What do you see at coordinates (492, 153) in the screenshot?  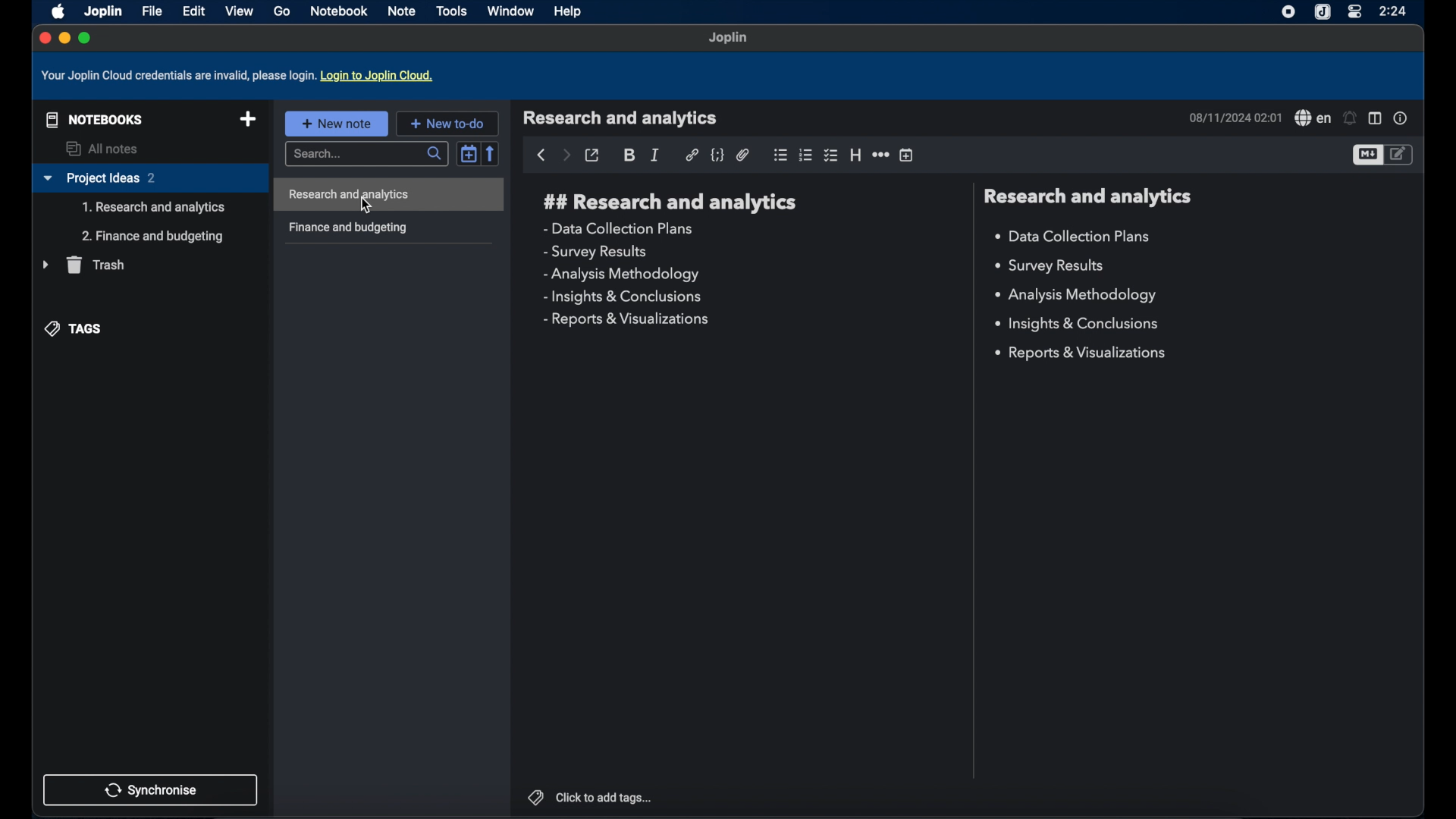 I see `reverse sort order` at bounding box center [492, 153].